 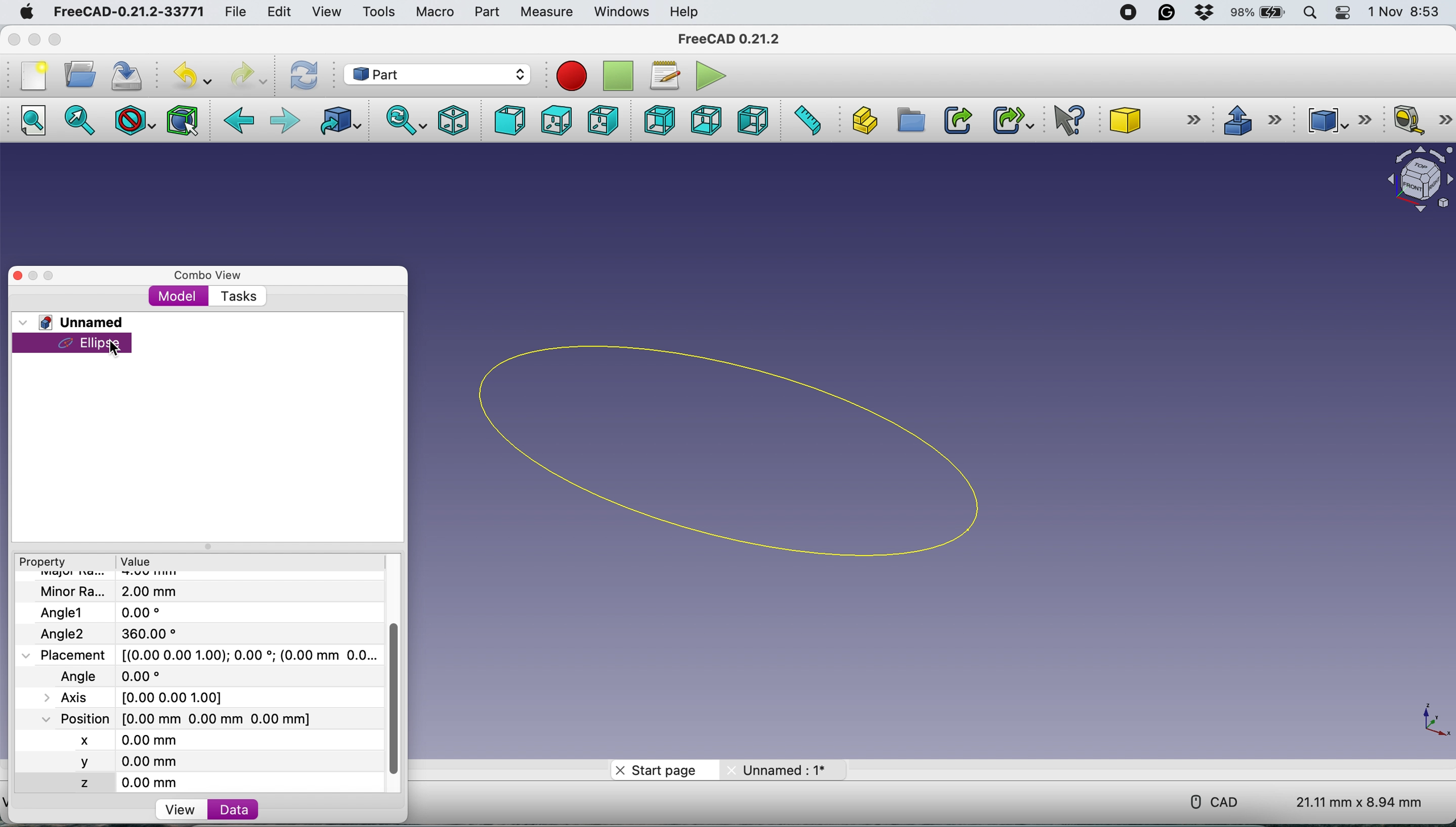 I want to click on x, so click(x=101, y=738).